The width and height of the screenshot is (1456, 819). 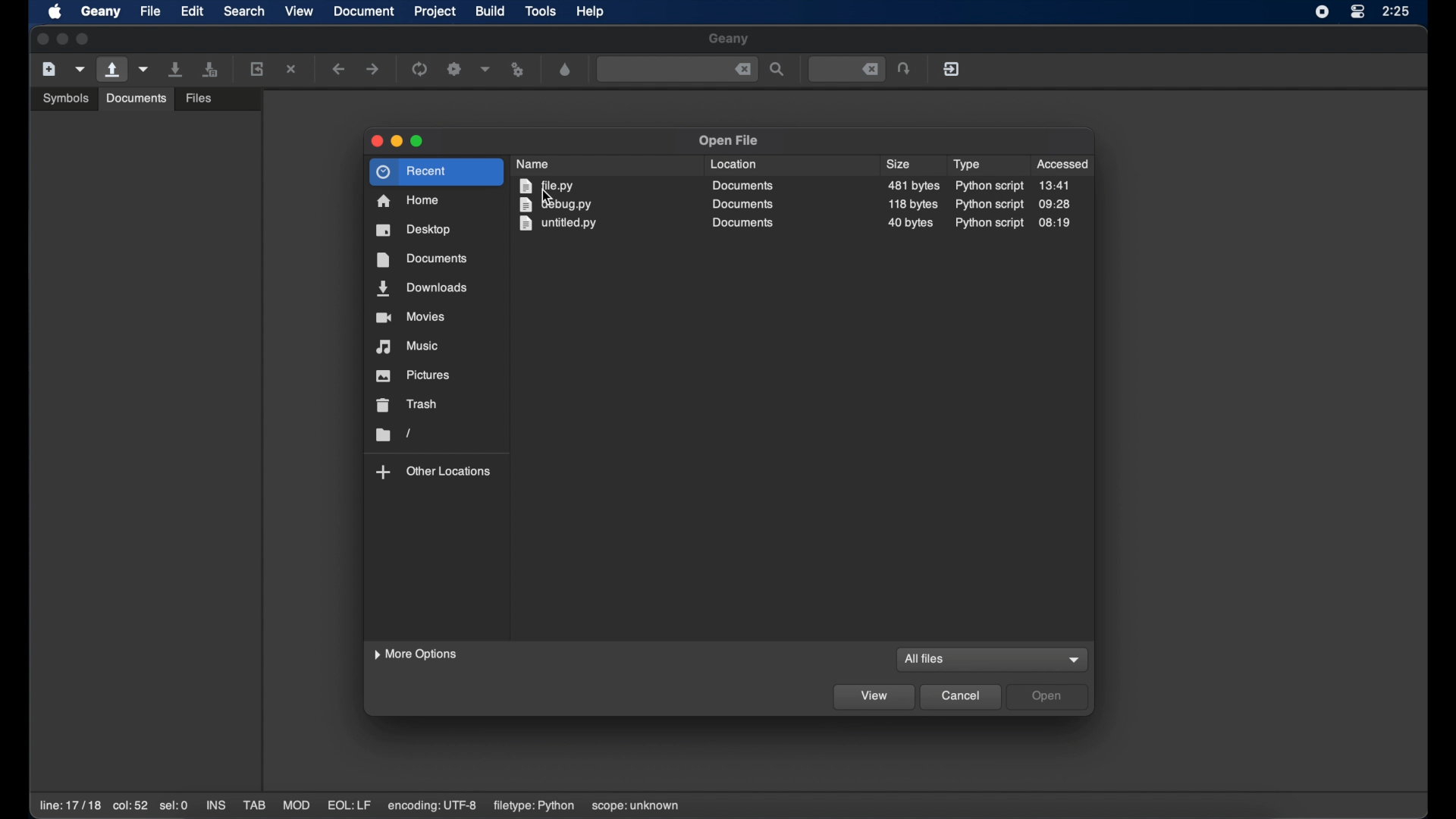 I want to click on name, so click(x=534, y=164).